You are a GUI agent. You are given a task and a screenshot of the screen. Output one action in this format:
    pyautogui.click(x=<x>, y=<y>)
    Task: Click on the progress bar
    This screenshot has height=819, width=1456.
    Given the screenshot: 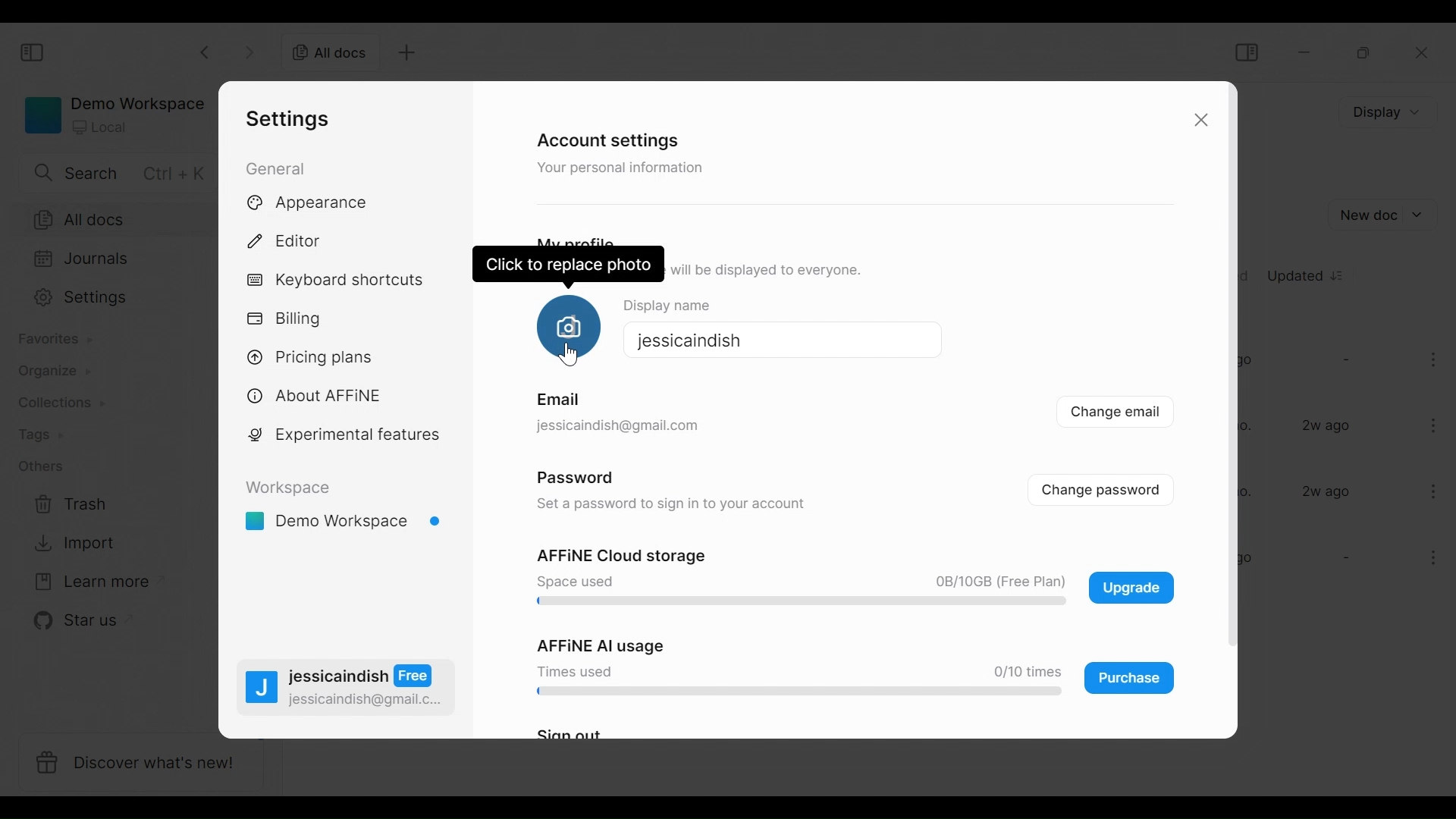 What is the action you would take?
    pyautogui.click(x=795, y=602)
    